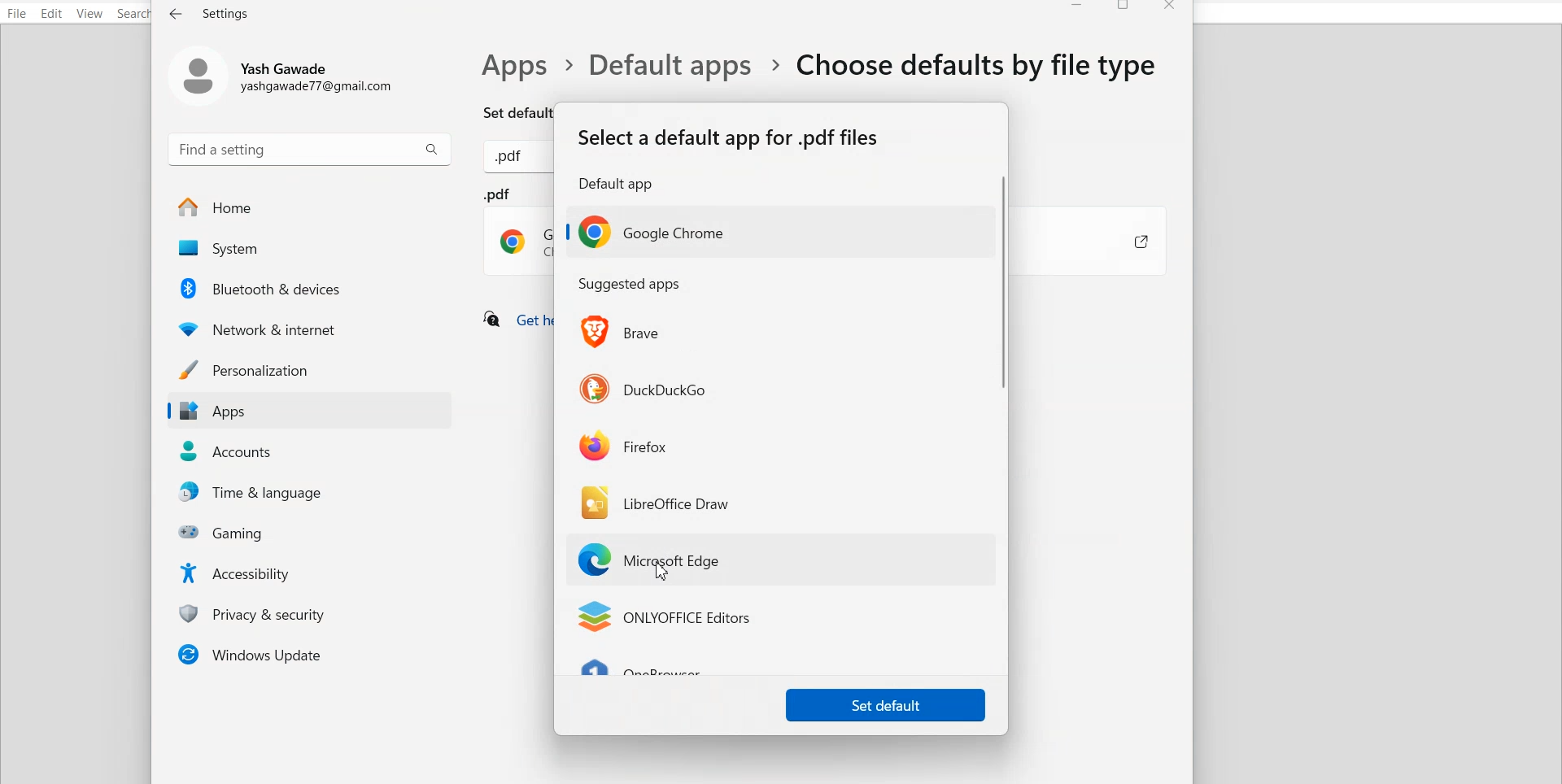 This screenshot has height=784, width=1562. What do you see at coordinates (730, 159) in the screenshot?
I see `Text` at bounding box center [730, 159].